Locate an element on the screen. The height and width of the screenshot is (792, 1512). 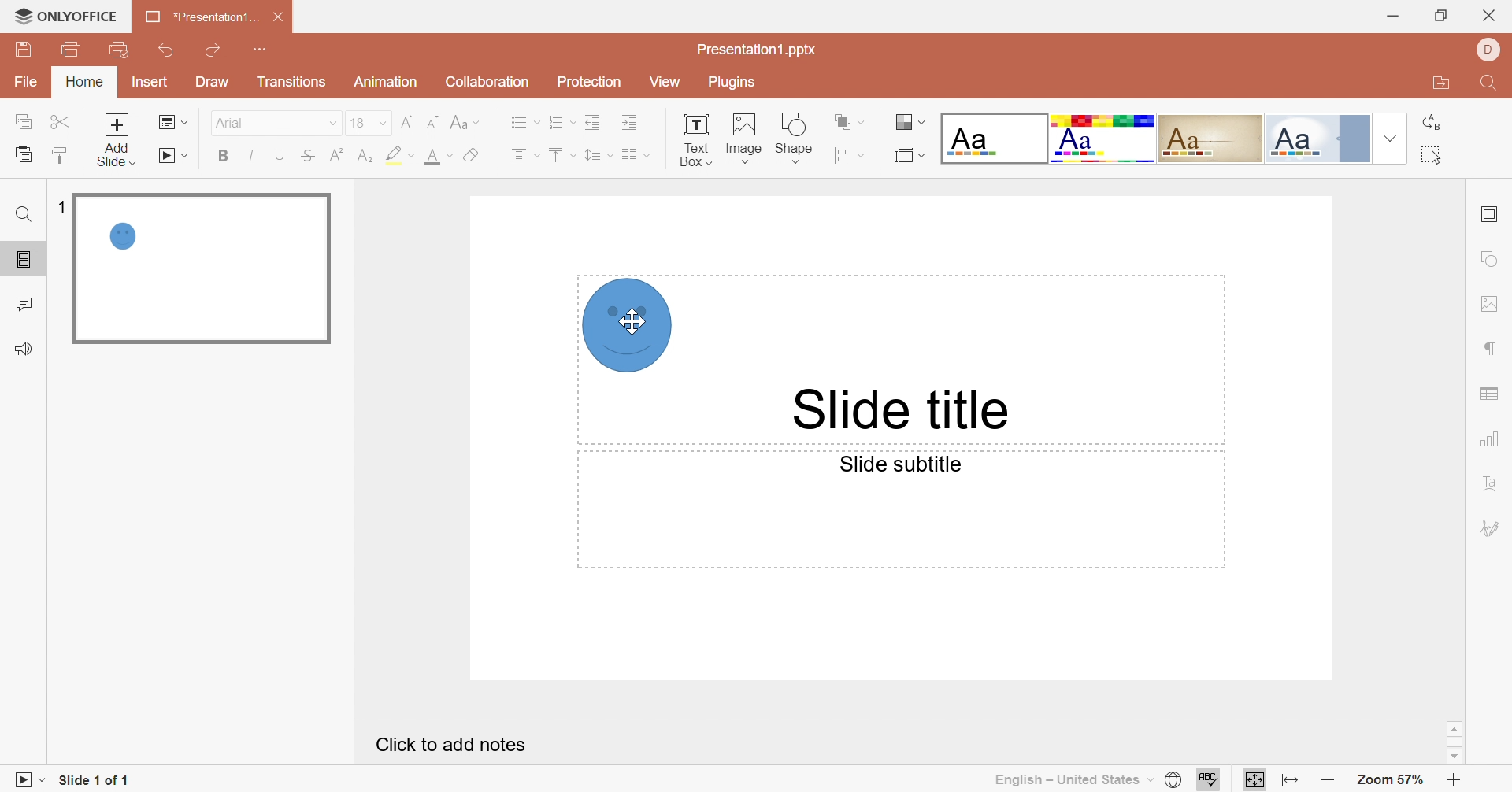
English - United States is located at coordinates (1074, 779).